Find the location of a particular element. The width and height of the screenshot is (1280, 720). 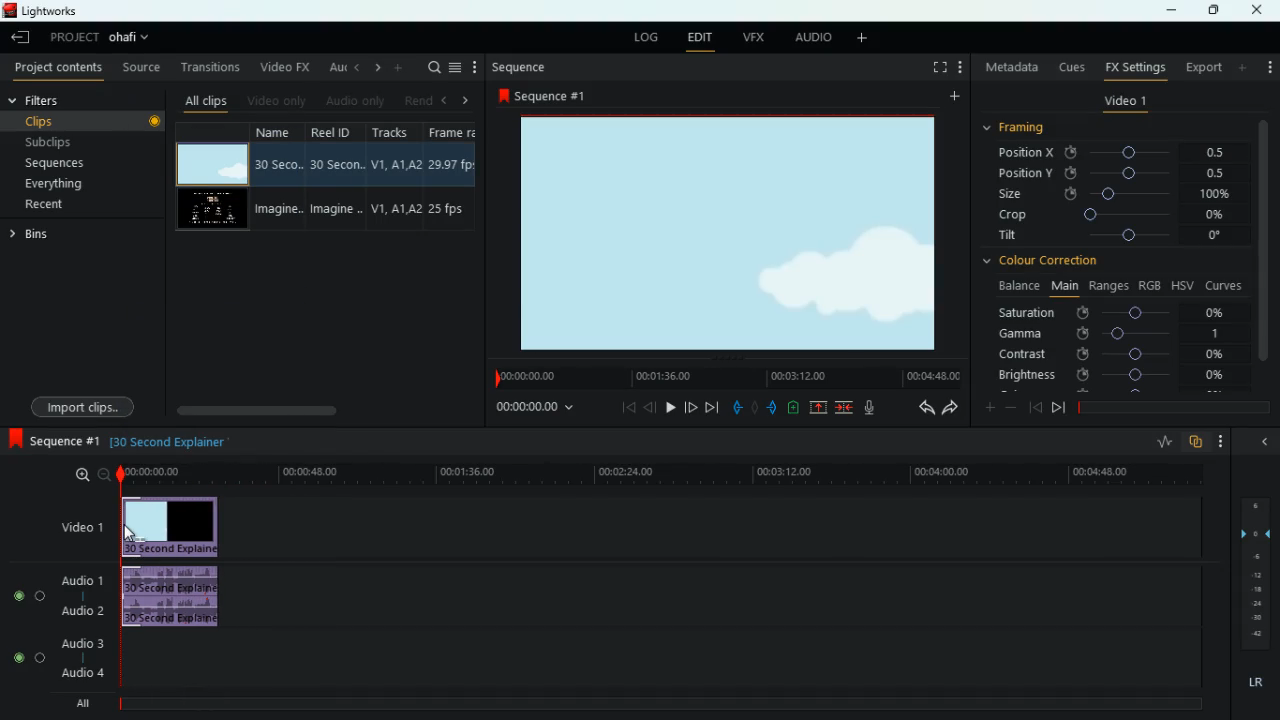

front is located at coordinates (1058, 409).